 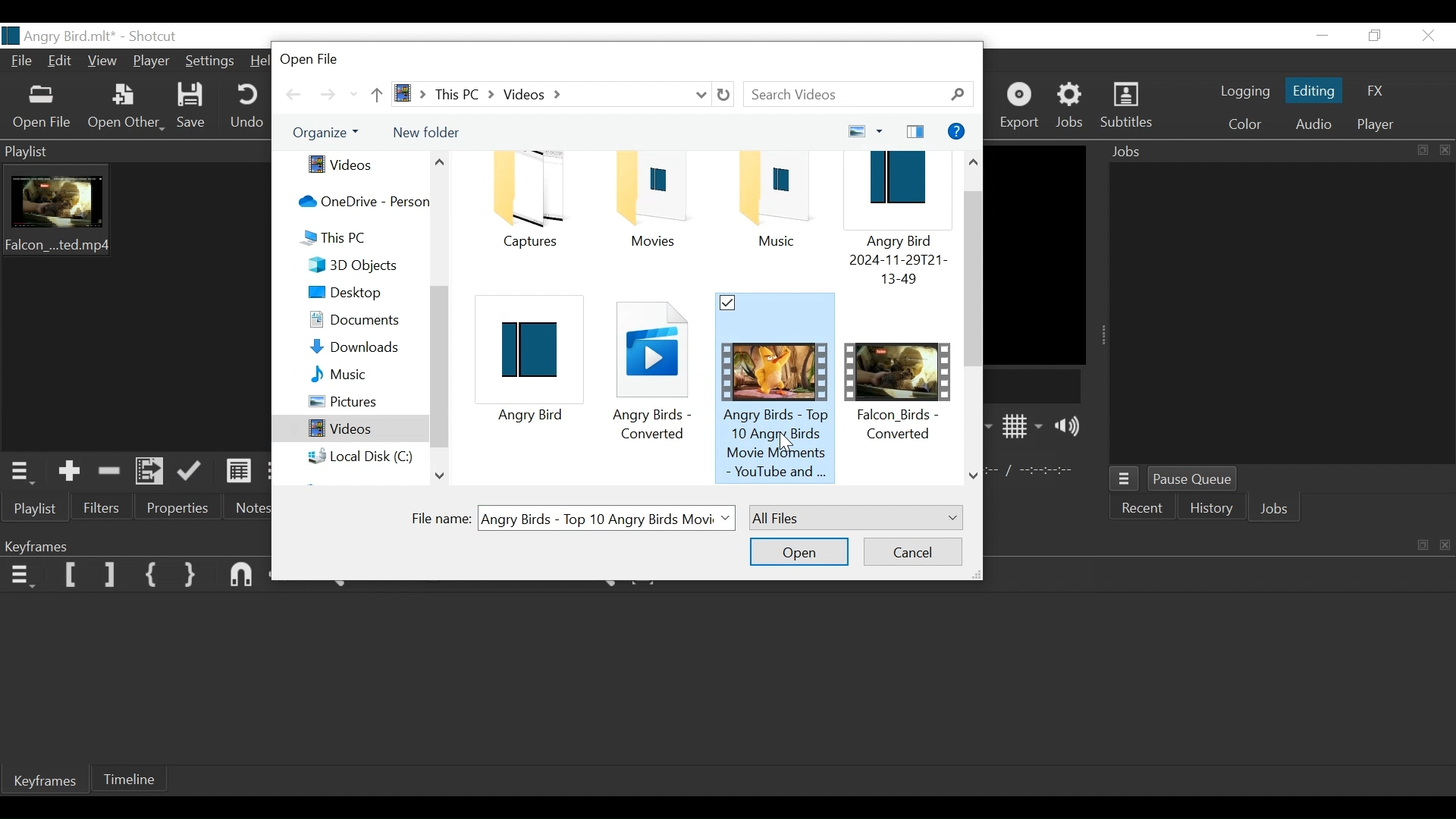 What do you see at coordinates (240, 472) in the screenshot?
I see `View as detail` at bounding box center [240, 472].